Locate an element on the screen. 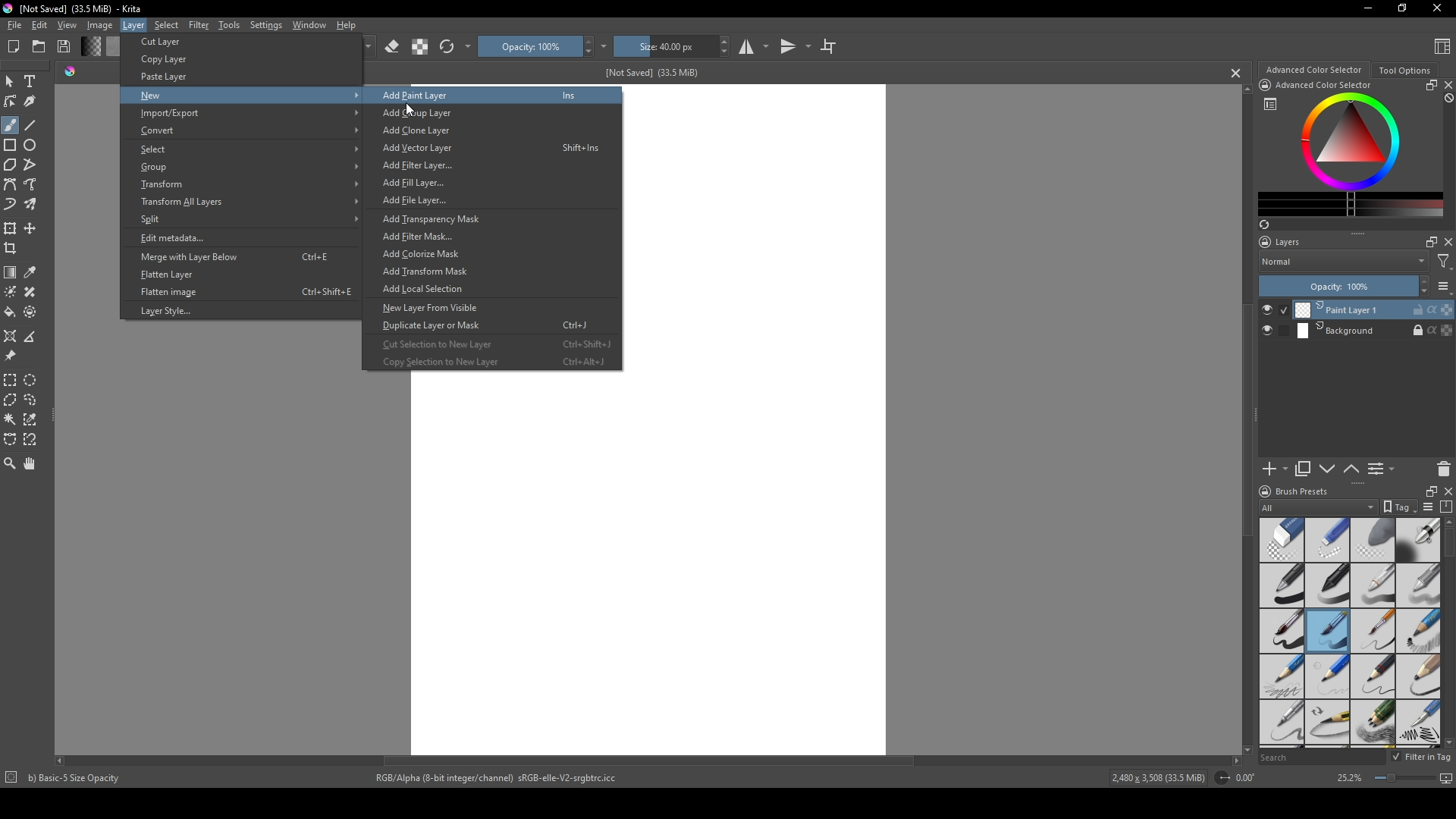 This screenshot has width=1456, height=819. resize is located at coordinates (1428, 490).